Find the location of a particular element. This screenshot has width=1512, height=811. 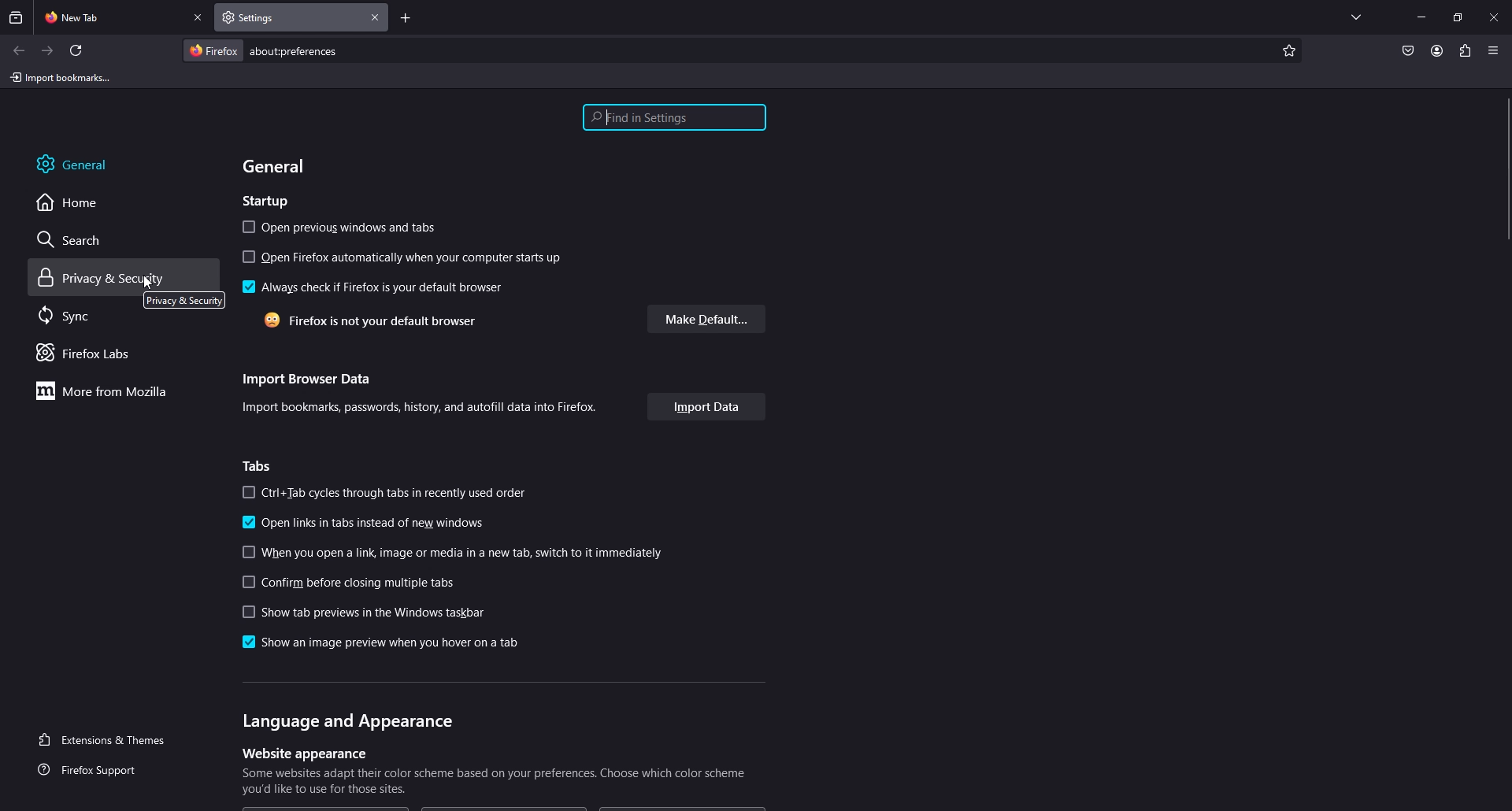

close tab is located at coordinates (199, 18).